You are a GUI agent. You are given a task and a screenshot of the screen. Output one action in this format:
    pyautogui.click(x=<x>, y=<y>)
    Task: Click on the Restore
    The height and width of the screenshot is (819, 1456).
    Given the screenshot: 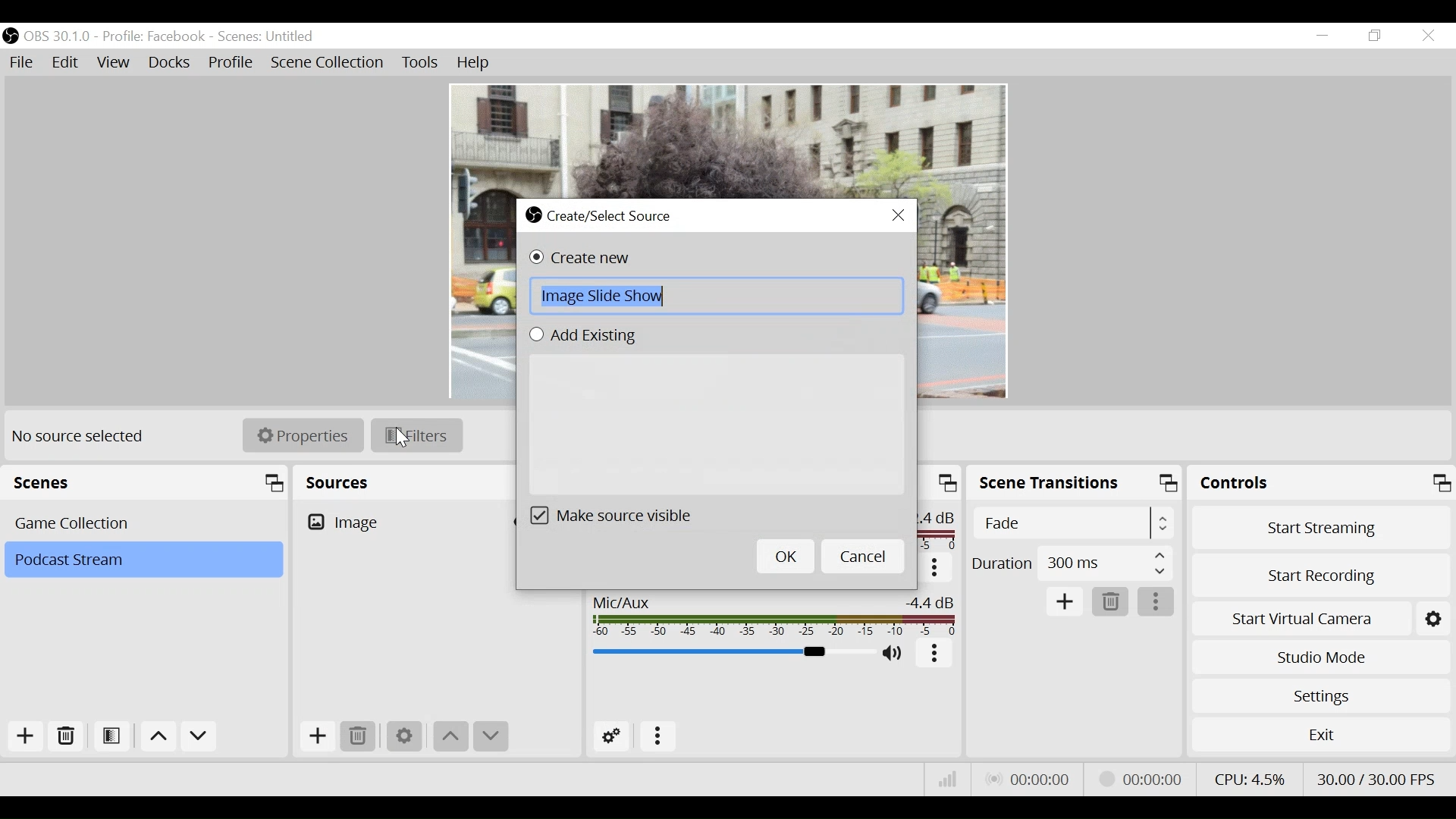 What is the action you would take?
    pyautogui.click(x=1376, y=36)
    